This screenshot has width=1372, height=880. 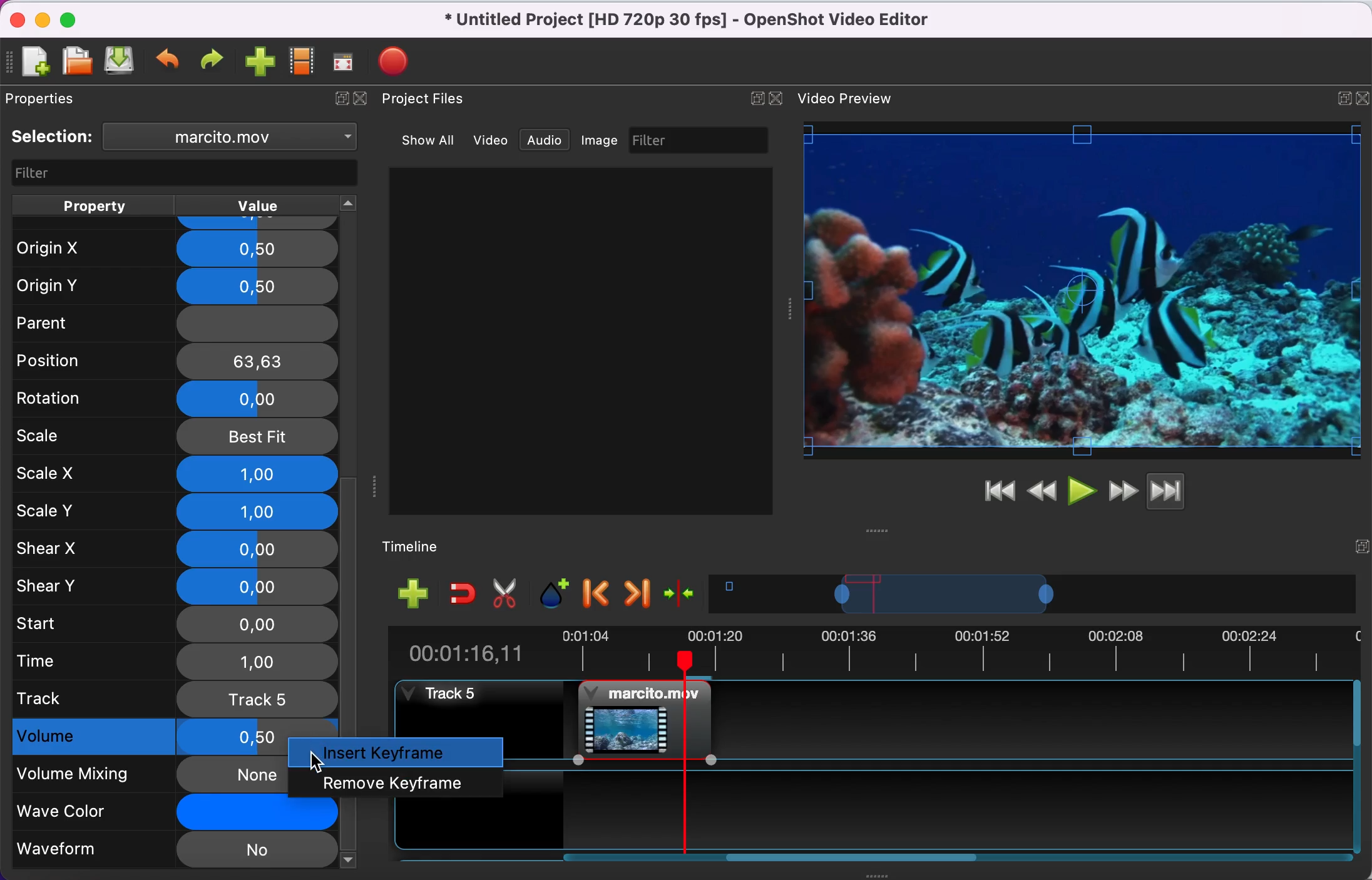 What do you see at coordinates (351, 606) in the screenshot?
I see `vertical scroll bar` at bounding box center [351, 606].